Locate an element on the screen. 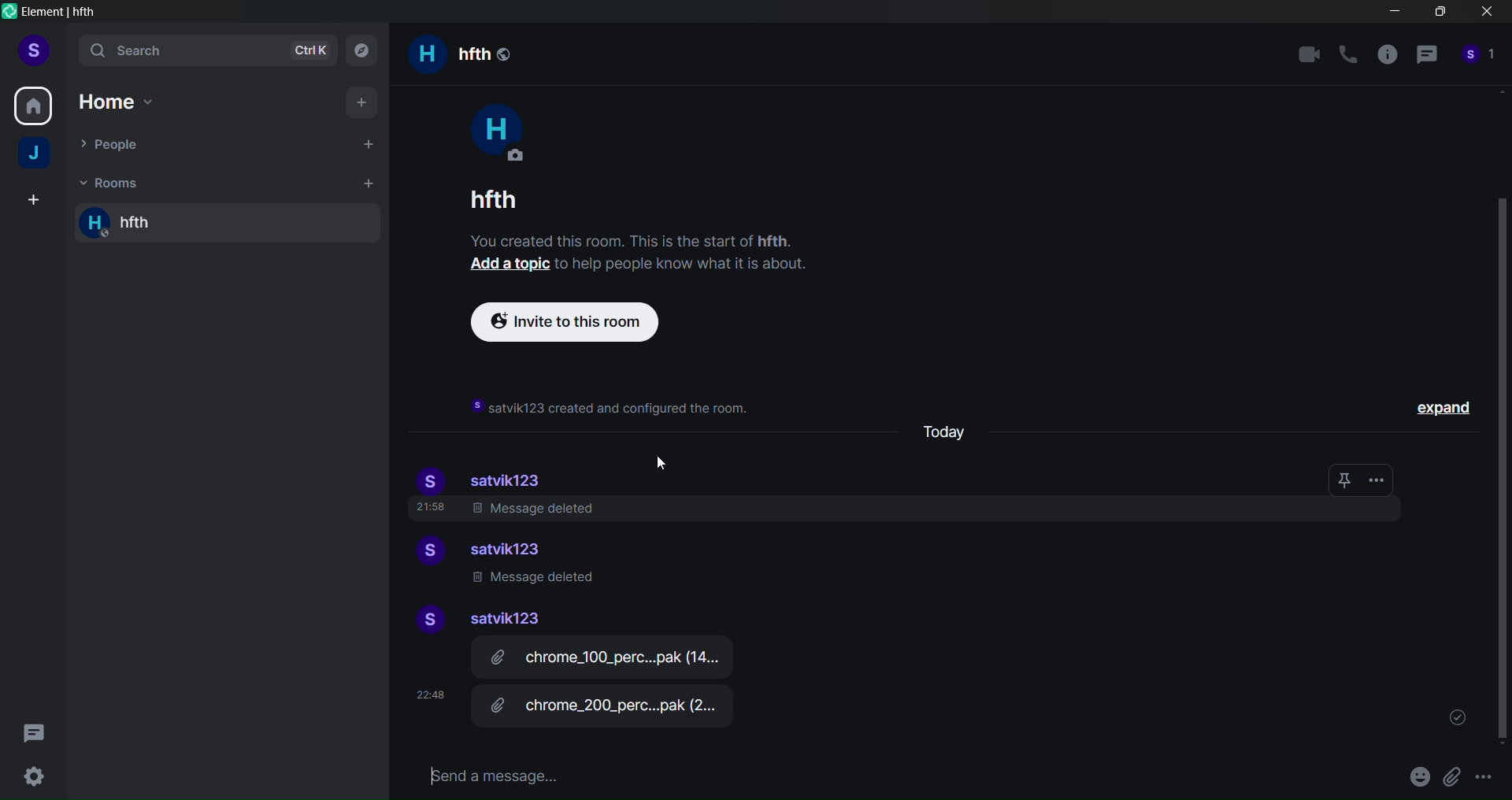 The height and width of the screenshot is (800, 1512). room name is located at coordinates (446, 56).